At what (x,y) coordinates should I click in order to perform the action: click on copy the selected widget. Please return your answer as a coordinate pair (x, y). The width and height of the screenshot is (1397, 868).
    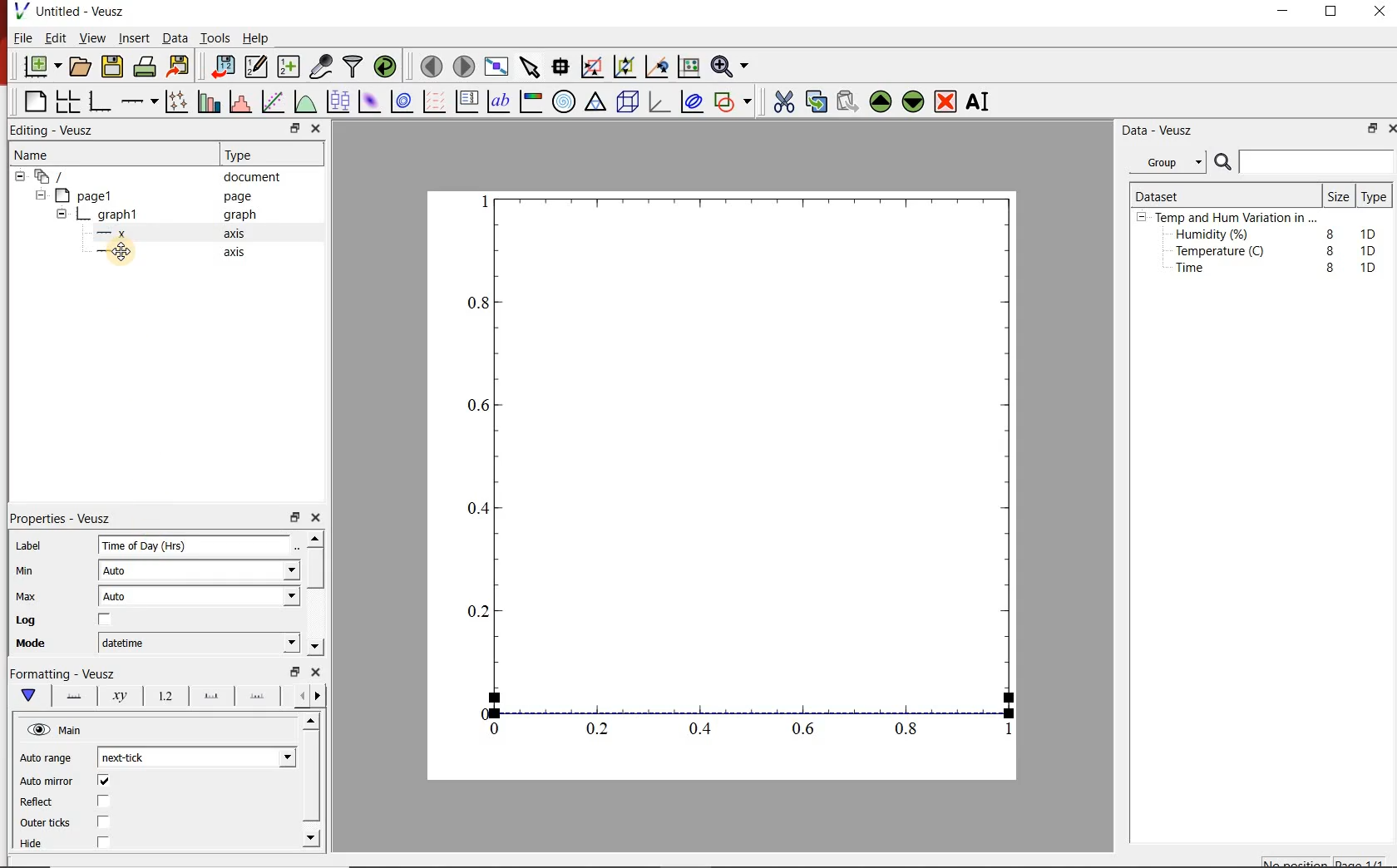
    Looking at the image, I should click on (816, 101).